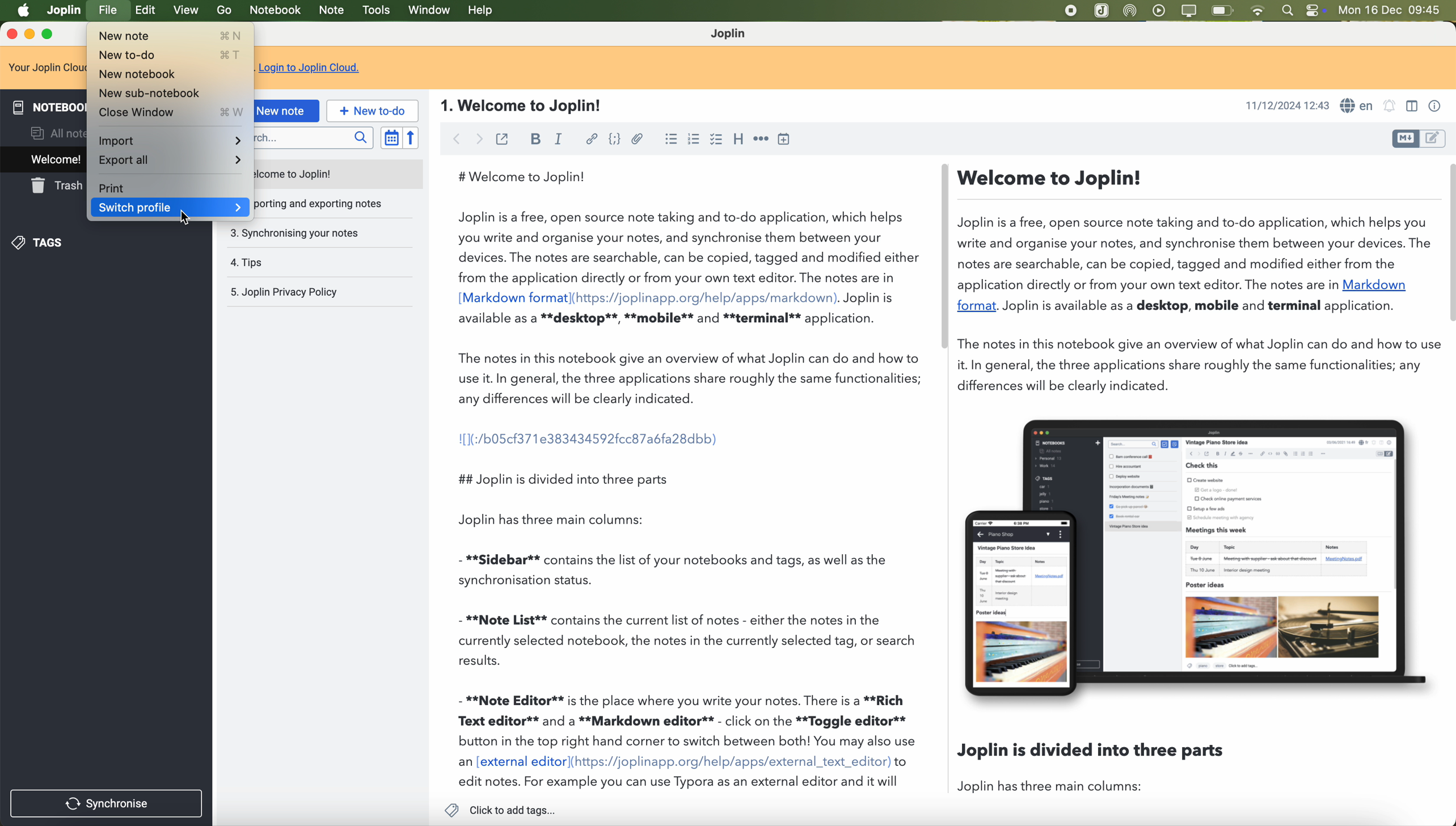 Image resolution: width=1456 pixels, height=826 pixels. Describe the element at coordinates (389, 137) in the screenshot. I see `toggle sort order field` at that location.